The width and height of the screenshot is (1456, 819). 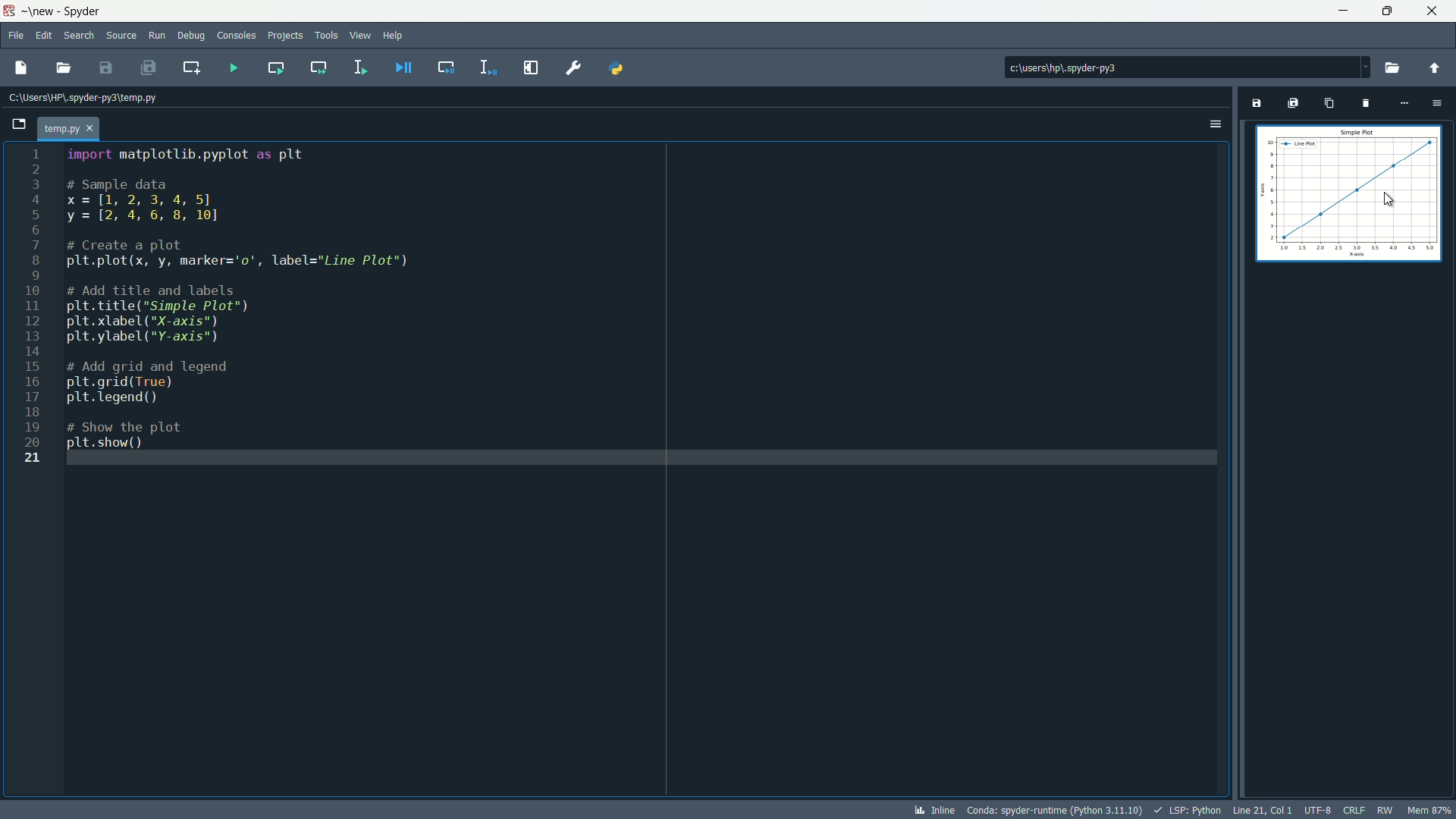 What do you see at coordinates (1293, 103) in the screenshot?
I see `save all plots` at bounding box center [1293, 103].